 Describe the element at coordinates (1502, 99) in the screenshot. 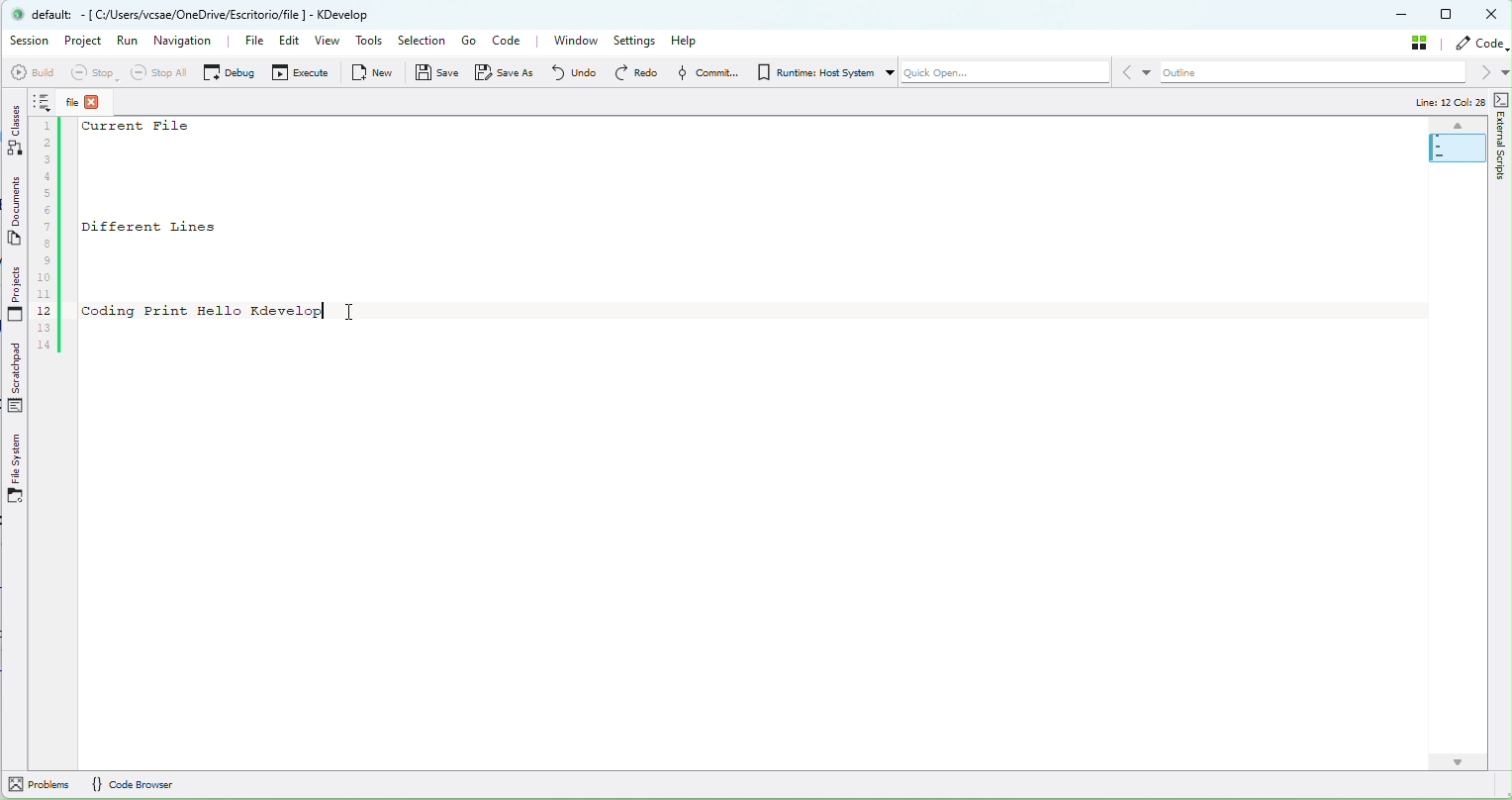

I see `External Scripts Toggle` at that location.